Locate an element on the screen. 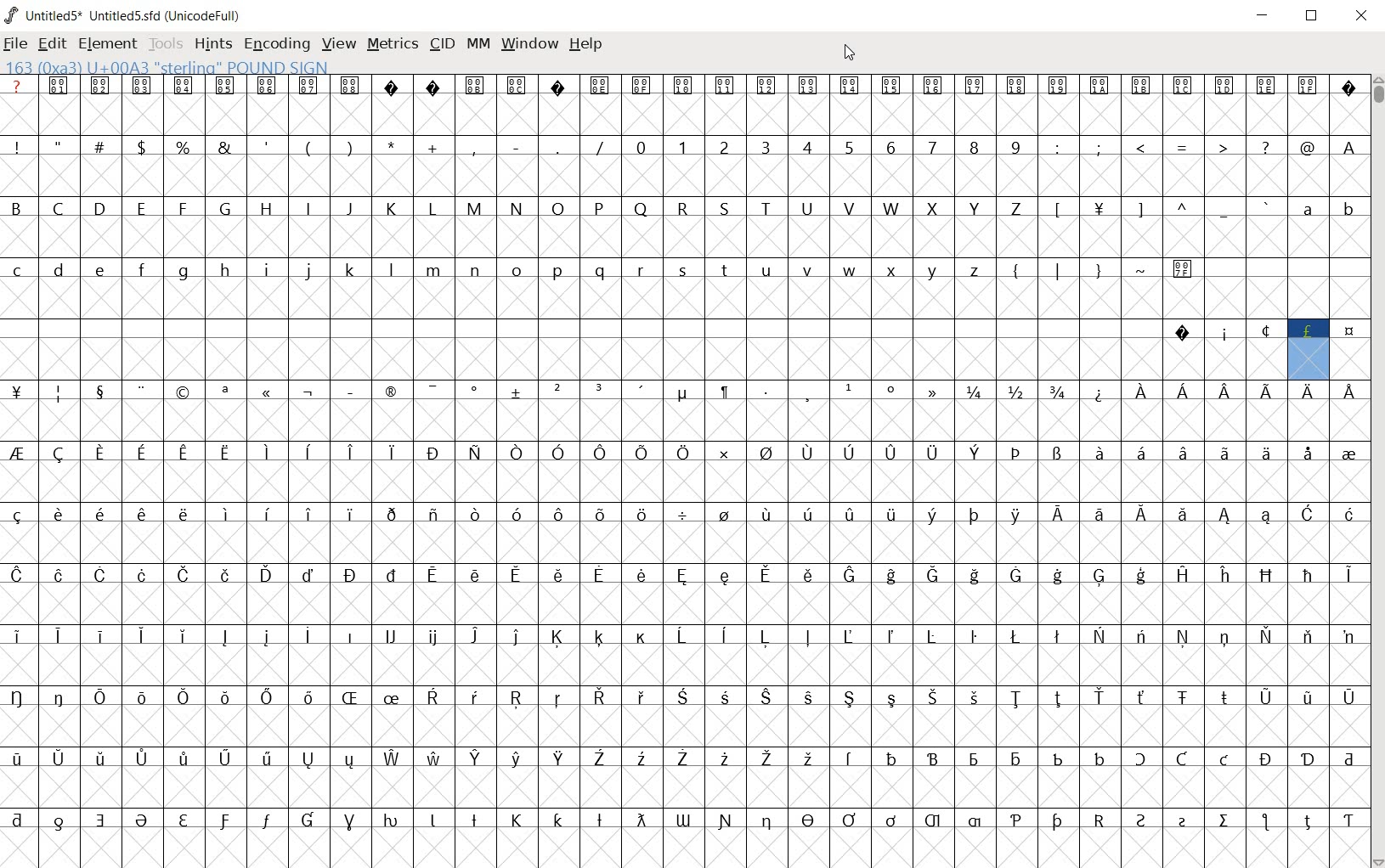 The width and height of the screenshot is (1385, 868). MM is located at coordinates (480, 45).